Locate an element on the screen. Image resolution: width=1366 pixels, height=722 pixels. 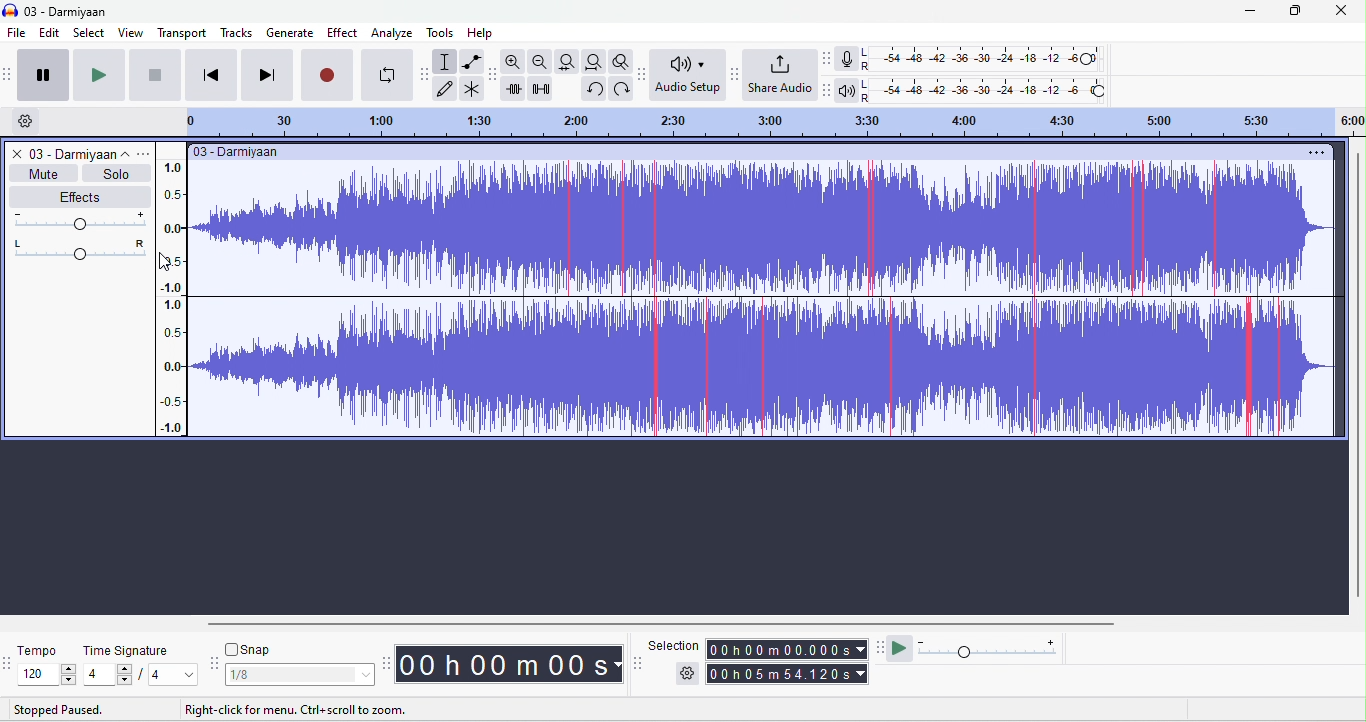
title is located at coordinates (56, 11).